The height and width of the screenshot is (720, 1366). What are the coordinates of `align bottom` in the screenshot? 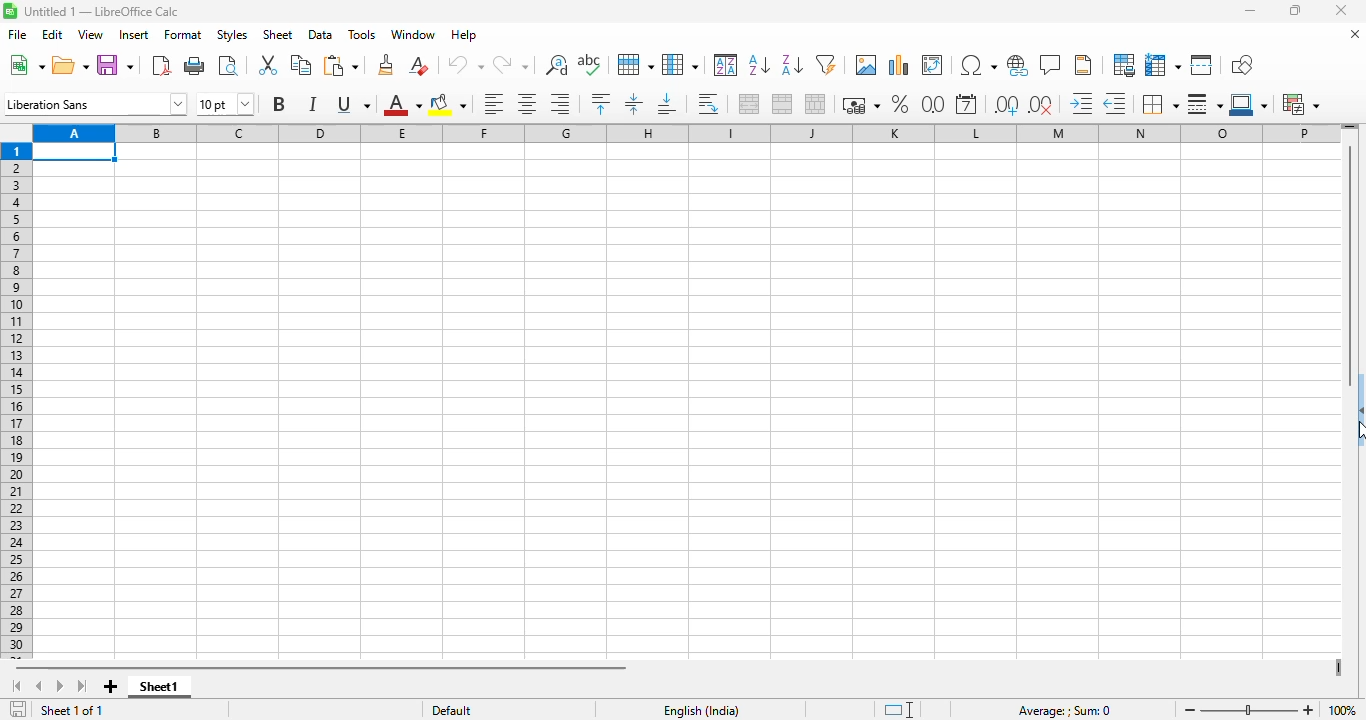 It's located at (665, 104).